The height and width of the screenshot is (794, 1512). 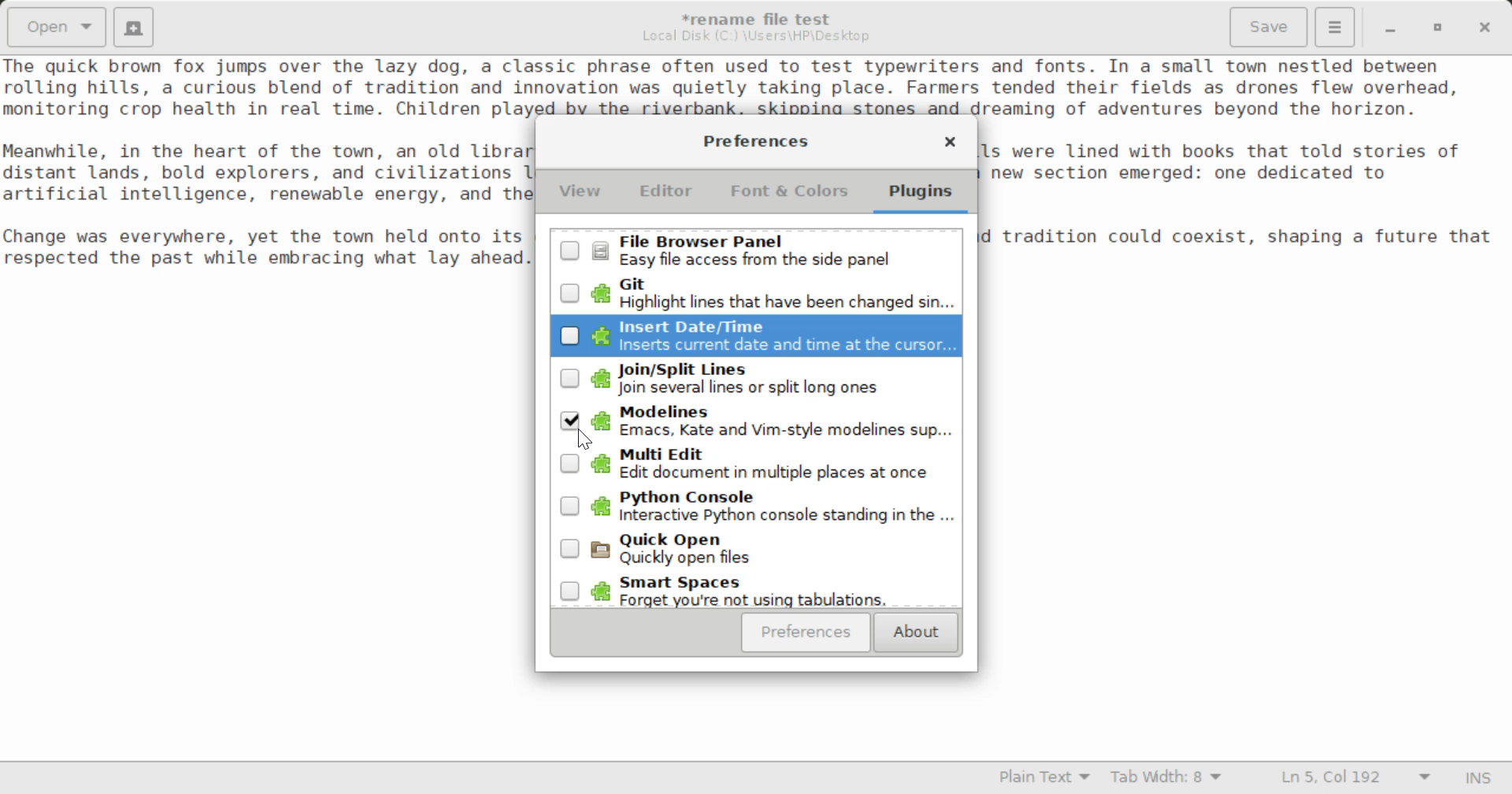 I want to click on Restore Down, so click(x=1388, y=28).